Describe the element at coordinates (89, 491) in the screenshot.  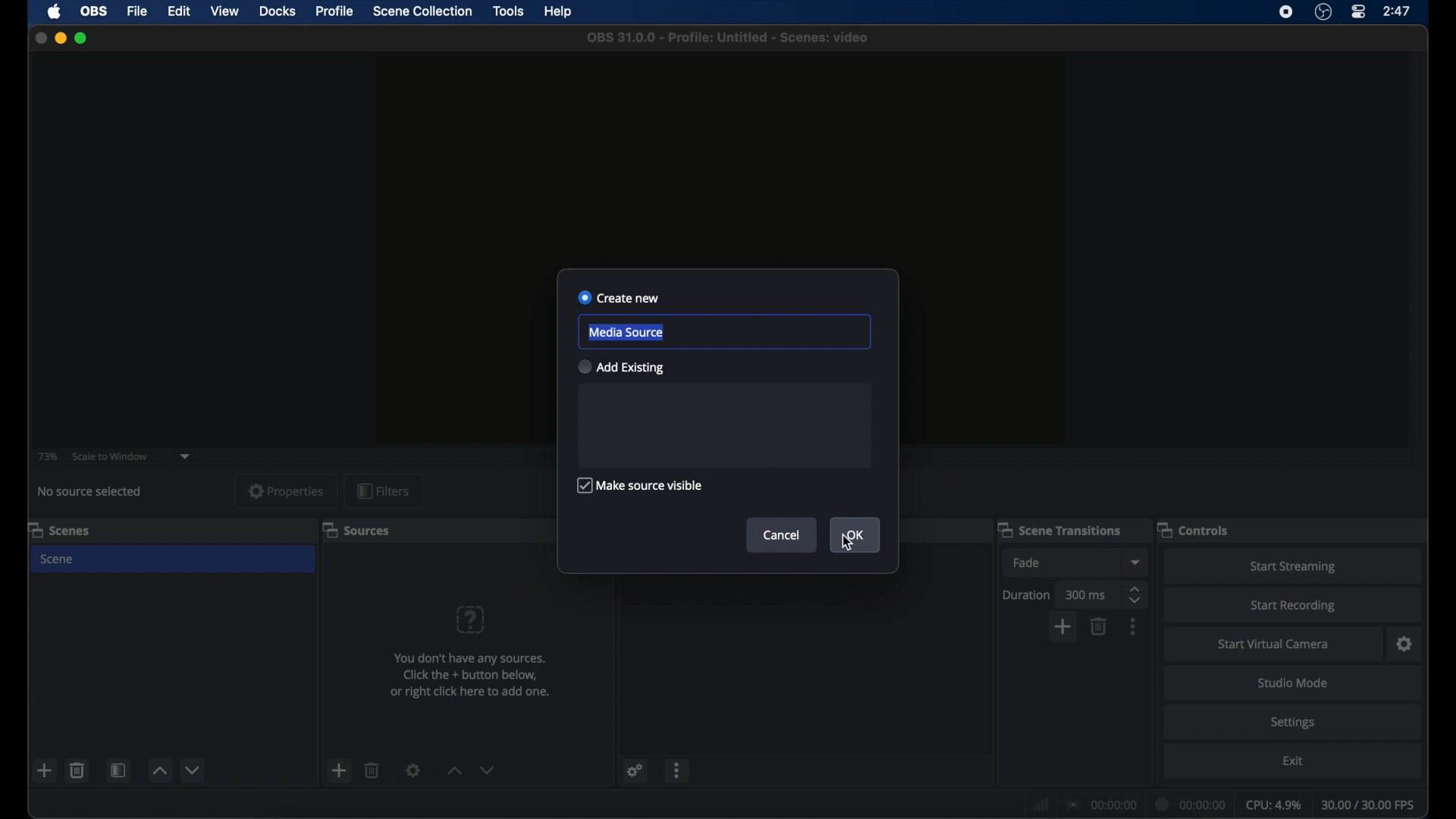
I see `no source selected` at that location.